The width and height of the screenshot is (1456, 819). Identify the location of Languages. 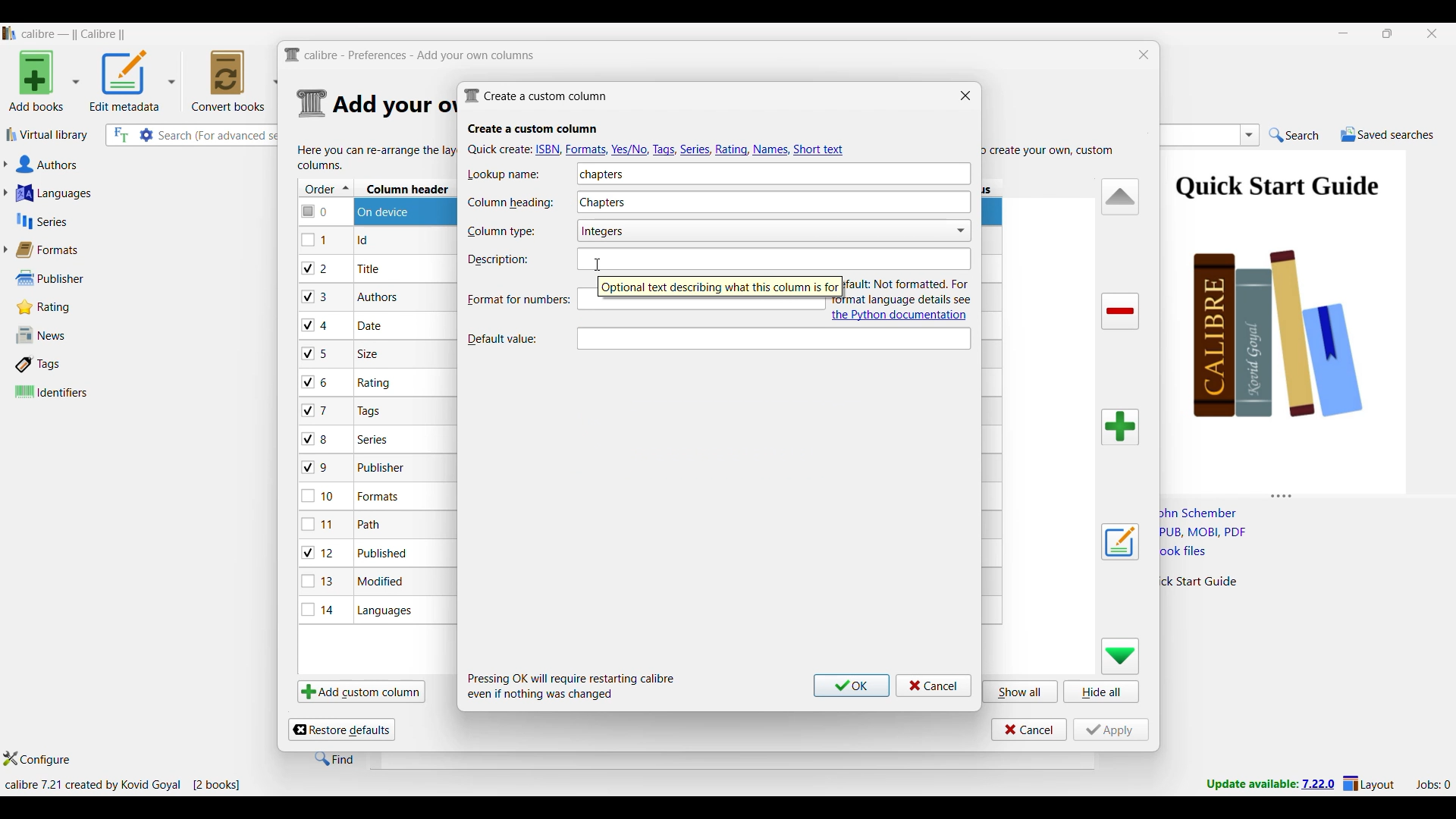
(115, 193).